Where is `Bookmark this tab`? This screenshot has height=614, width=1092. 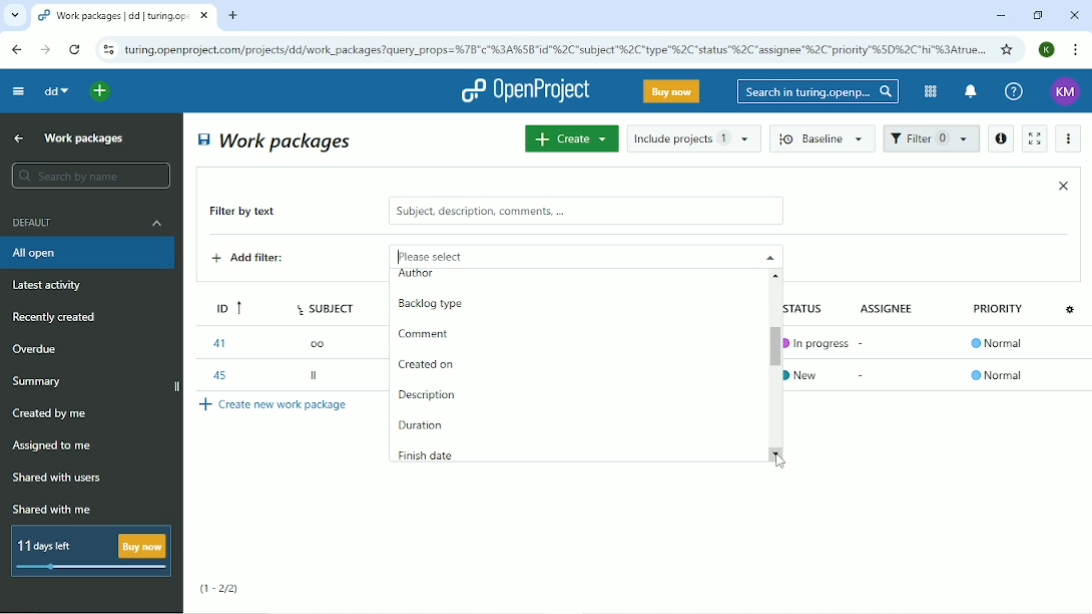 Bookmark this tab is located at coordinates (1007, 49).